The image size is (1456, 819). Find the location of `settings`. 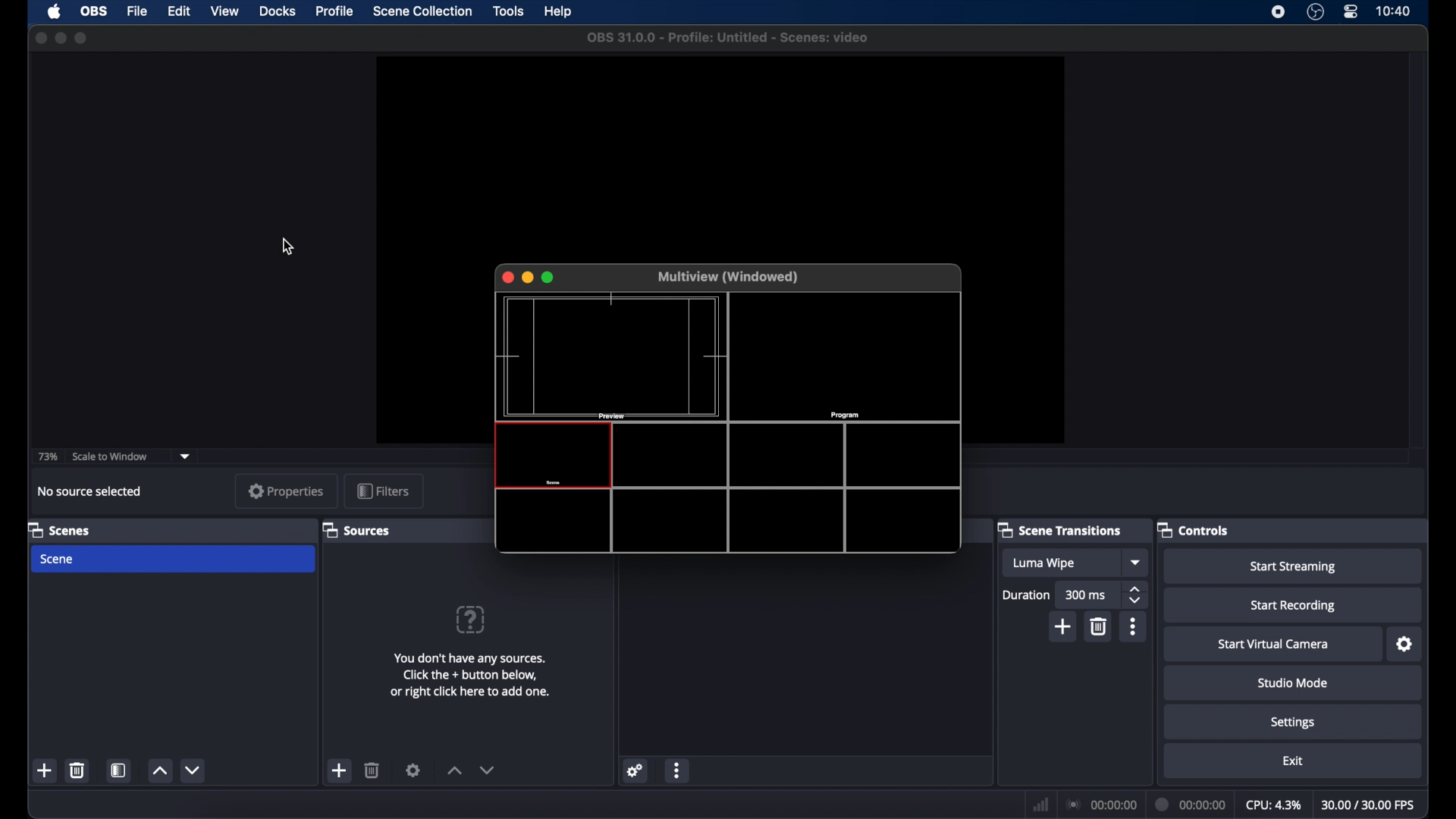

settings is located at coordinates (413, 770).